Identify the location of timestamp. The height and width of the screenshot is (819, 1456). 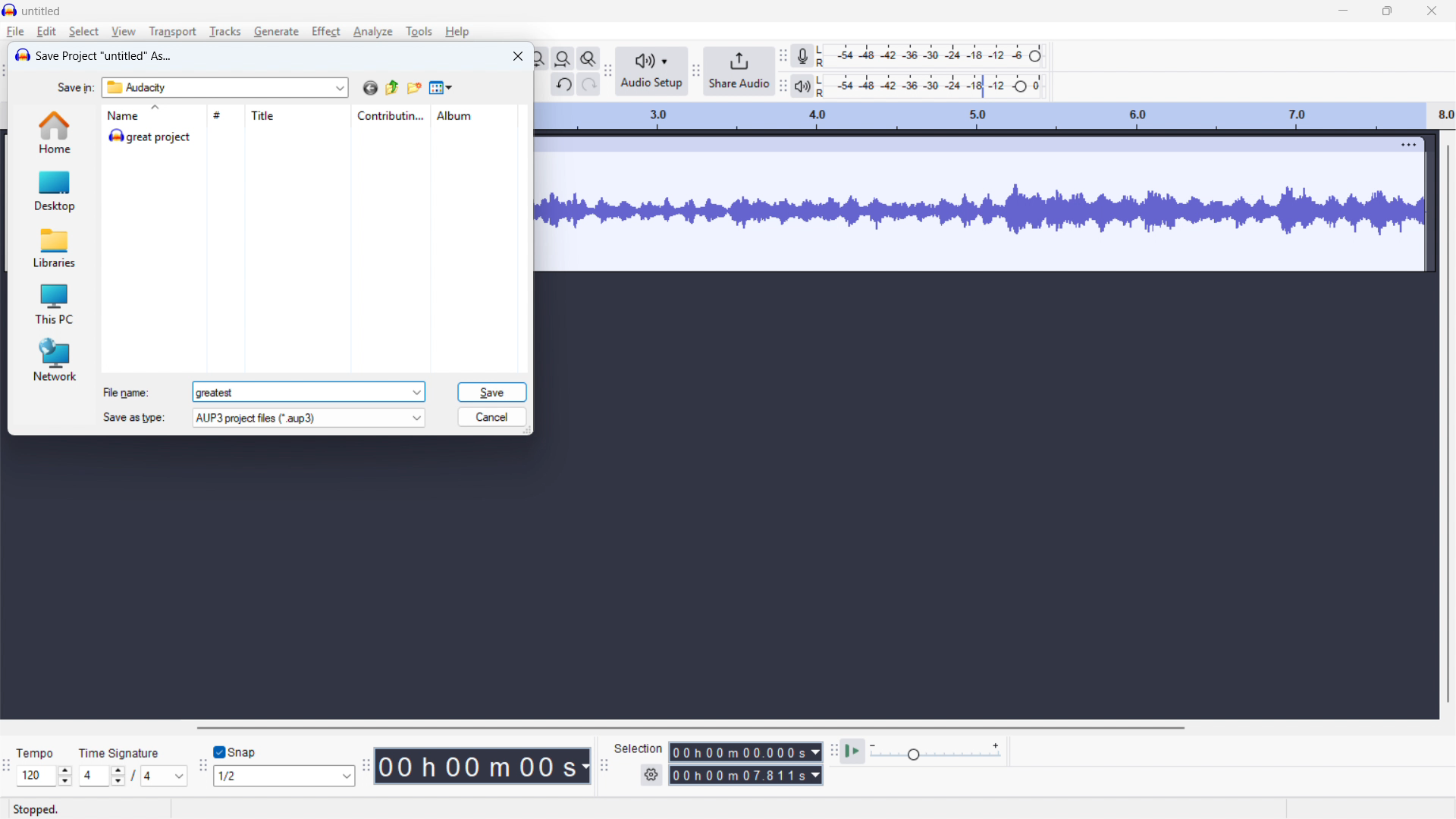
(484, 766).